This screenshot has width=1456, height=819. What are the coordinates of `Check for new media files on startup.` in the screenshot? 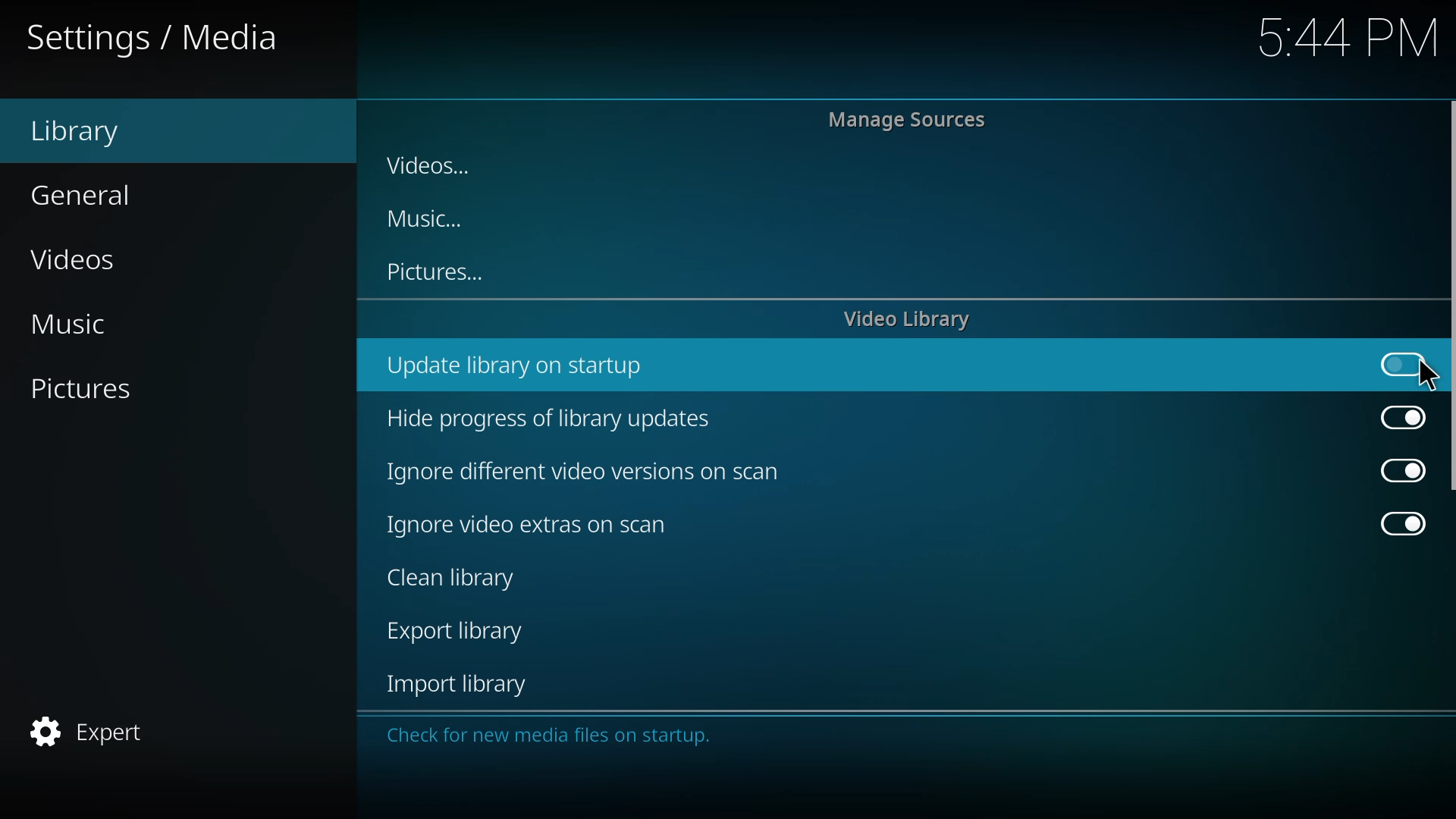 It's located at (562, 741).